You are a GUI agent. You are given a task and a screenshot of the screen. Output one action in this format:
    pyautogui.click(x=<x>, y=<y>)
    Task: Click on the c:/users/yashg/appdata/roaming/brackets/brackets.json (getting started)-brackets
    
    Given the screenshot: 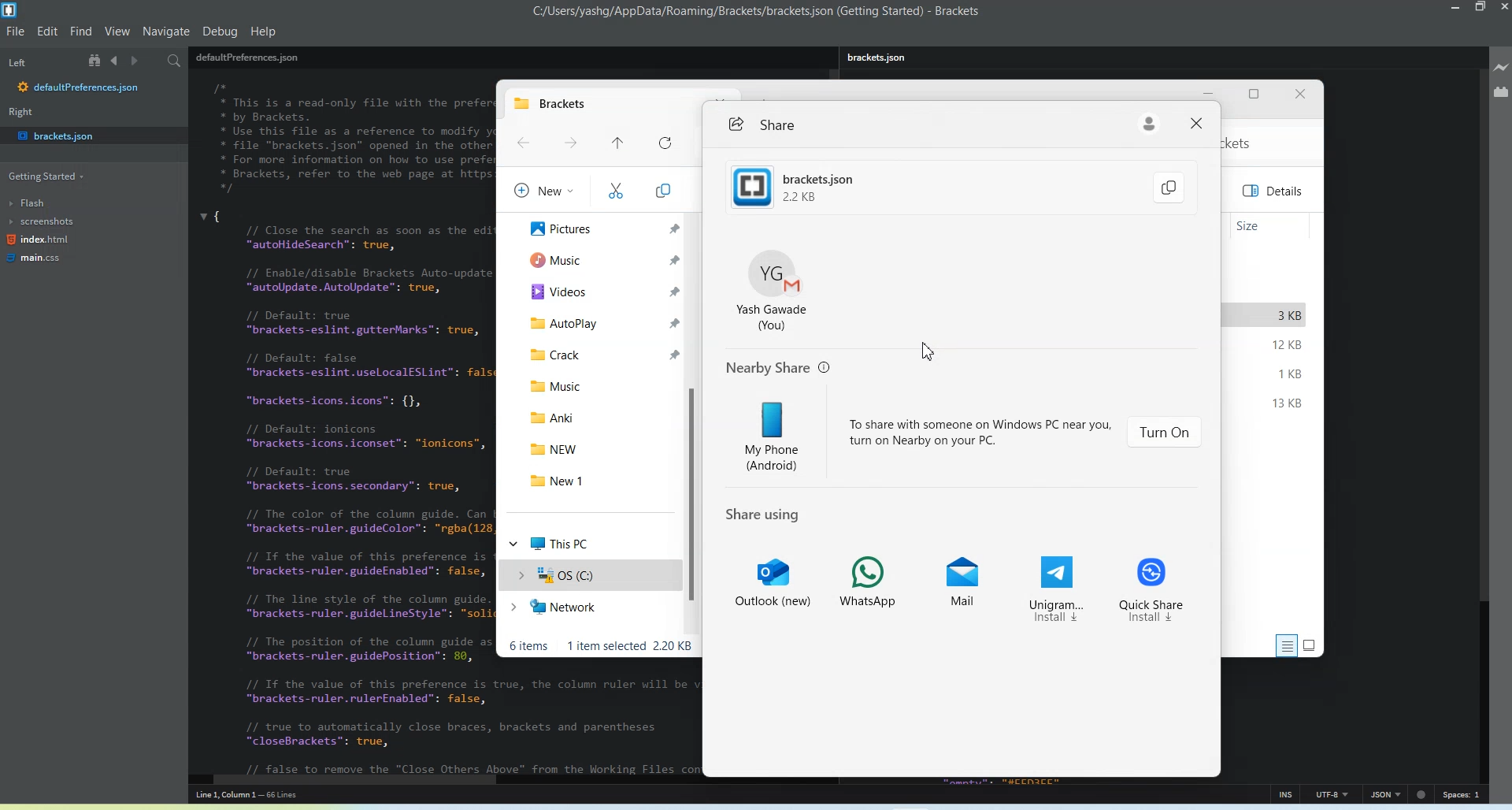 What is the action you would take?
    pyautogui.click(x=757, y=12)
    